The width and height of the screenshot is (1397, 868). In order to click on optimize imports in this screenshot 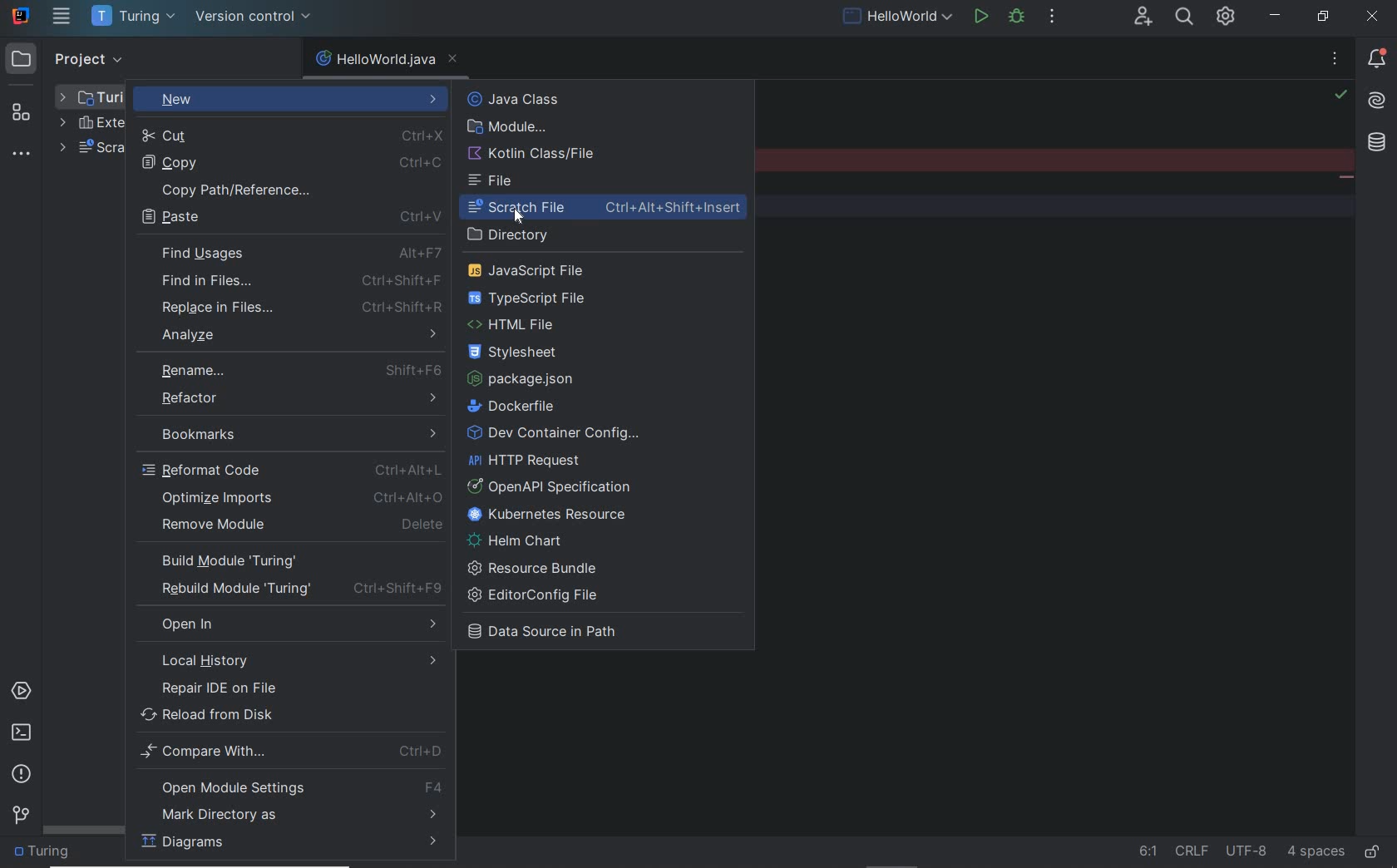, I will do `click(304, 496)`.